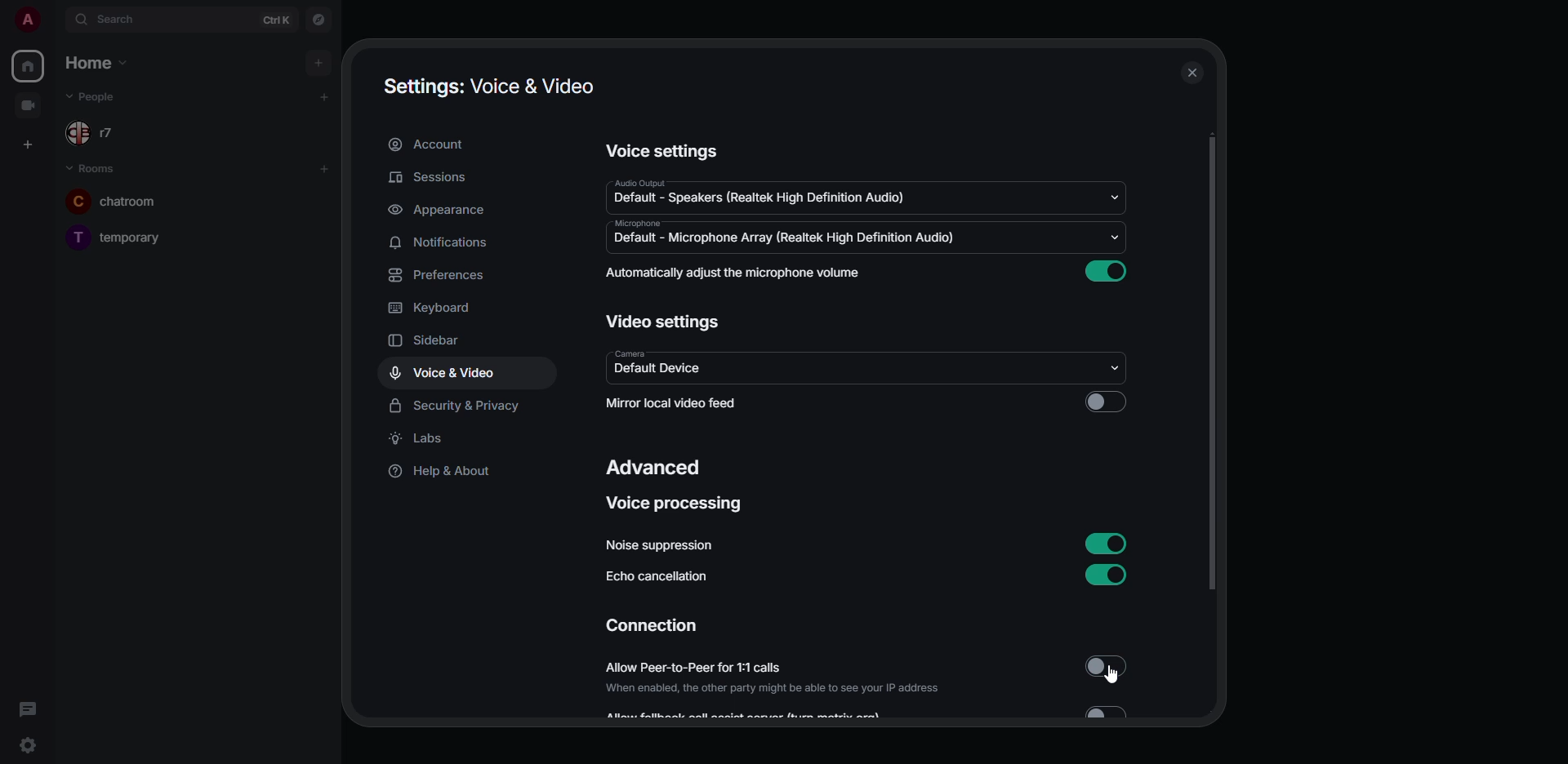 Image resolution: width=1568 pixels, height=764 pixels. Describe the element at coordinates (492, 85) in the screenshot. I see `settings voice & video` at that location.